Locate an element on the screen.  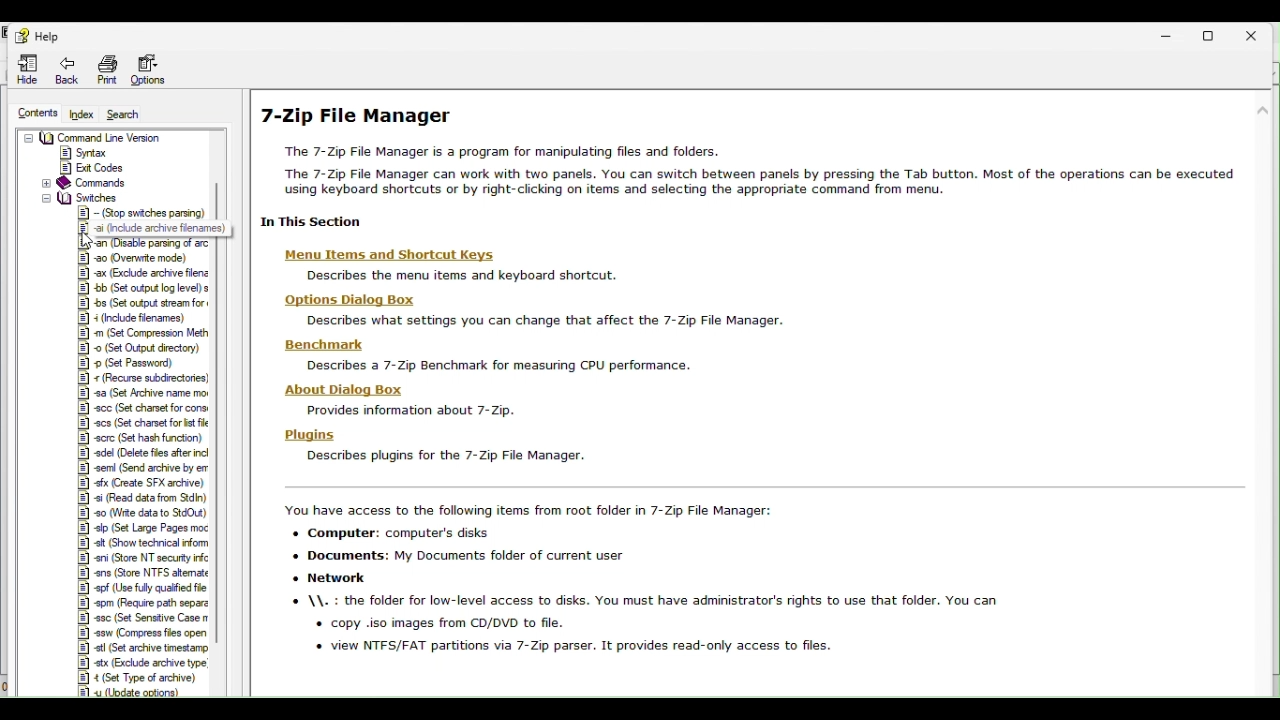
Print is located at coordinates (103, 67).